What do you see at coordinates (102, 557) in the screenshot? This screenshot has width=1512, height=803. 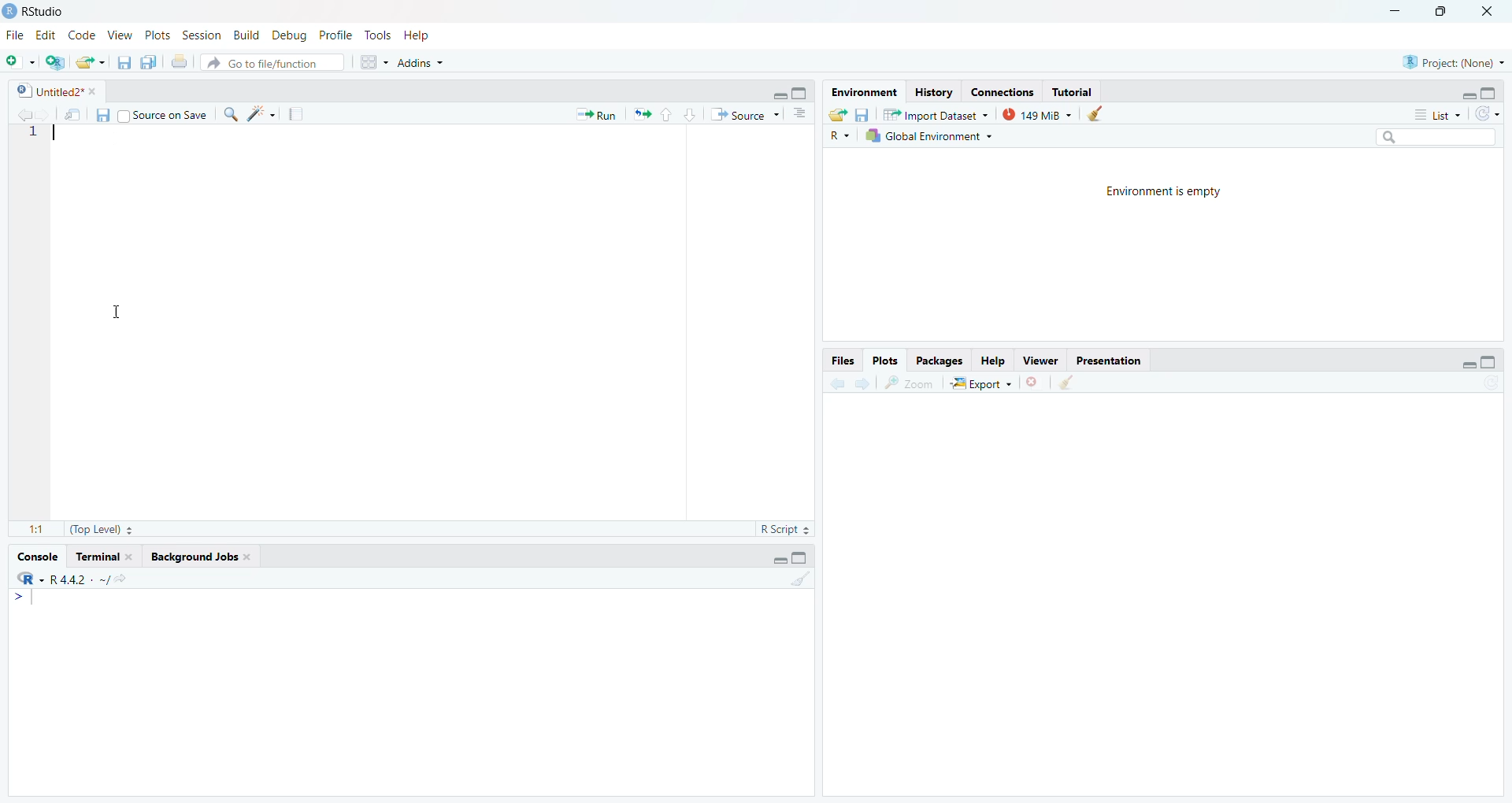 I see `Tutorial` at bounding box center [102, 557].